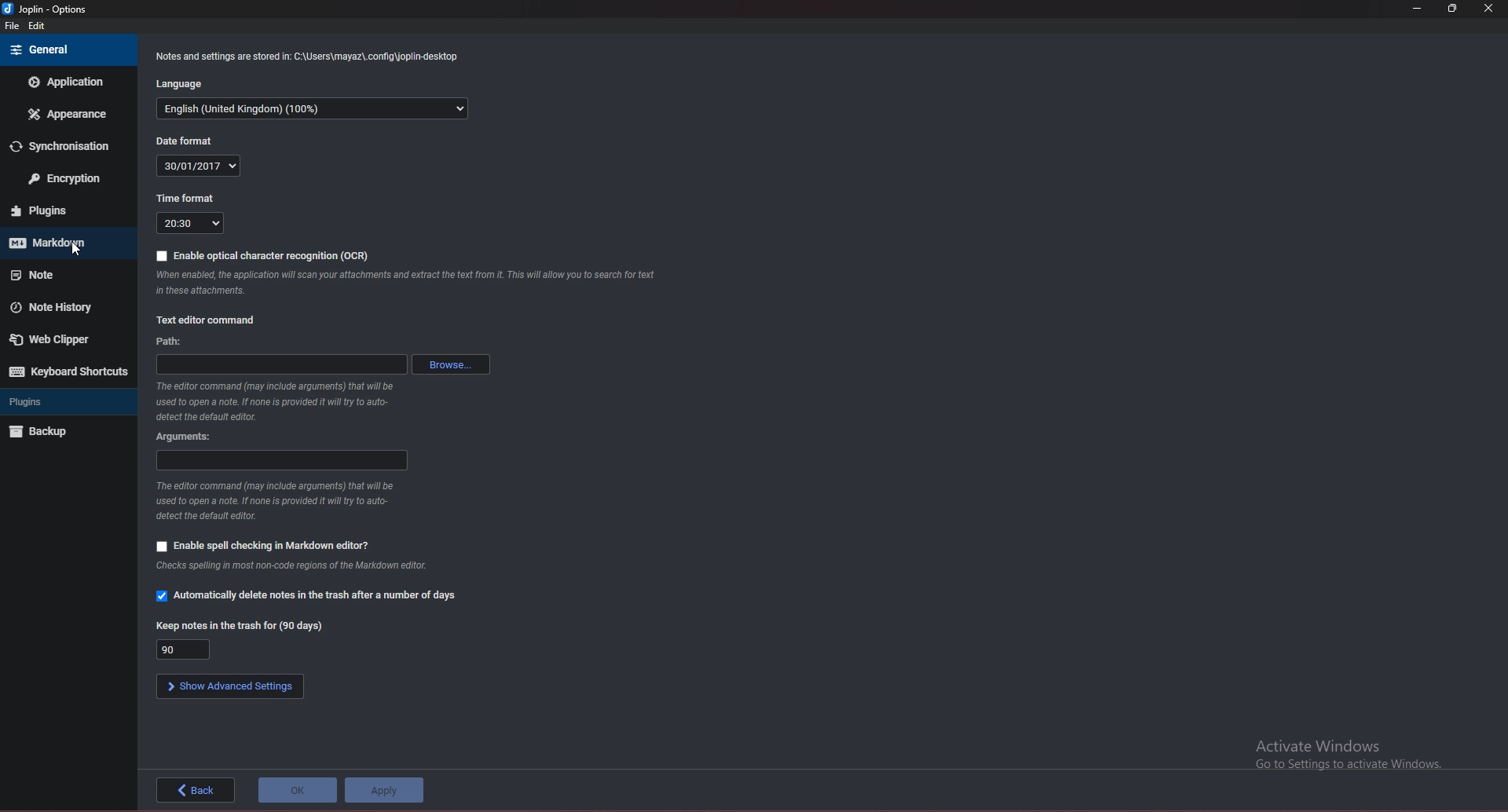  What do you see at coordinates (181, 83) in the screenshot?
I see `language` at bounding box center [181, 83].